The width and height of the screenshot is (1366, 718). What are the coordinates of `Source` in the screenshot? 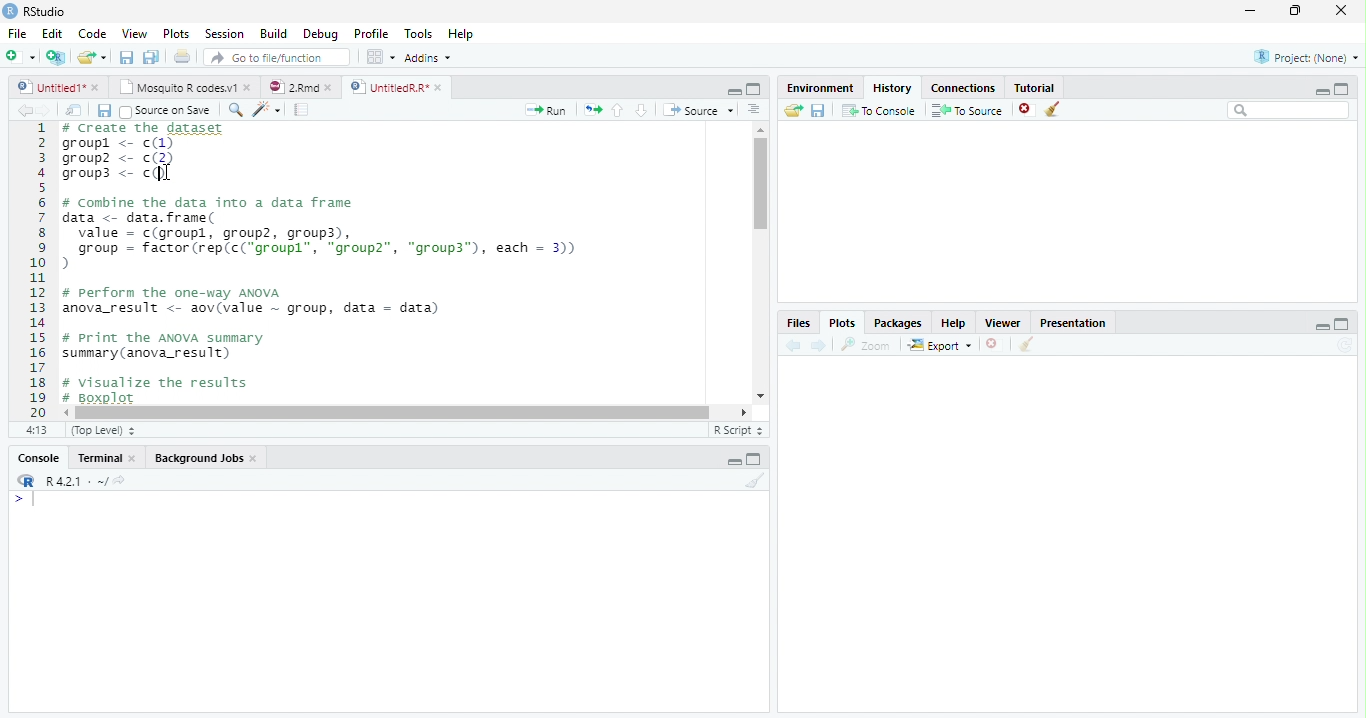 It's located at (700, 111).